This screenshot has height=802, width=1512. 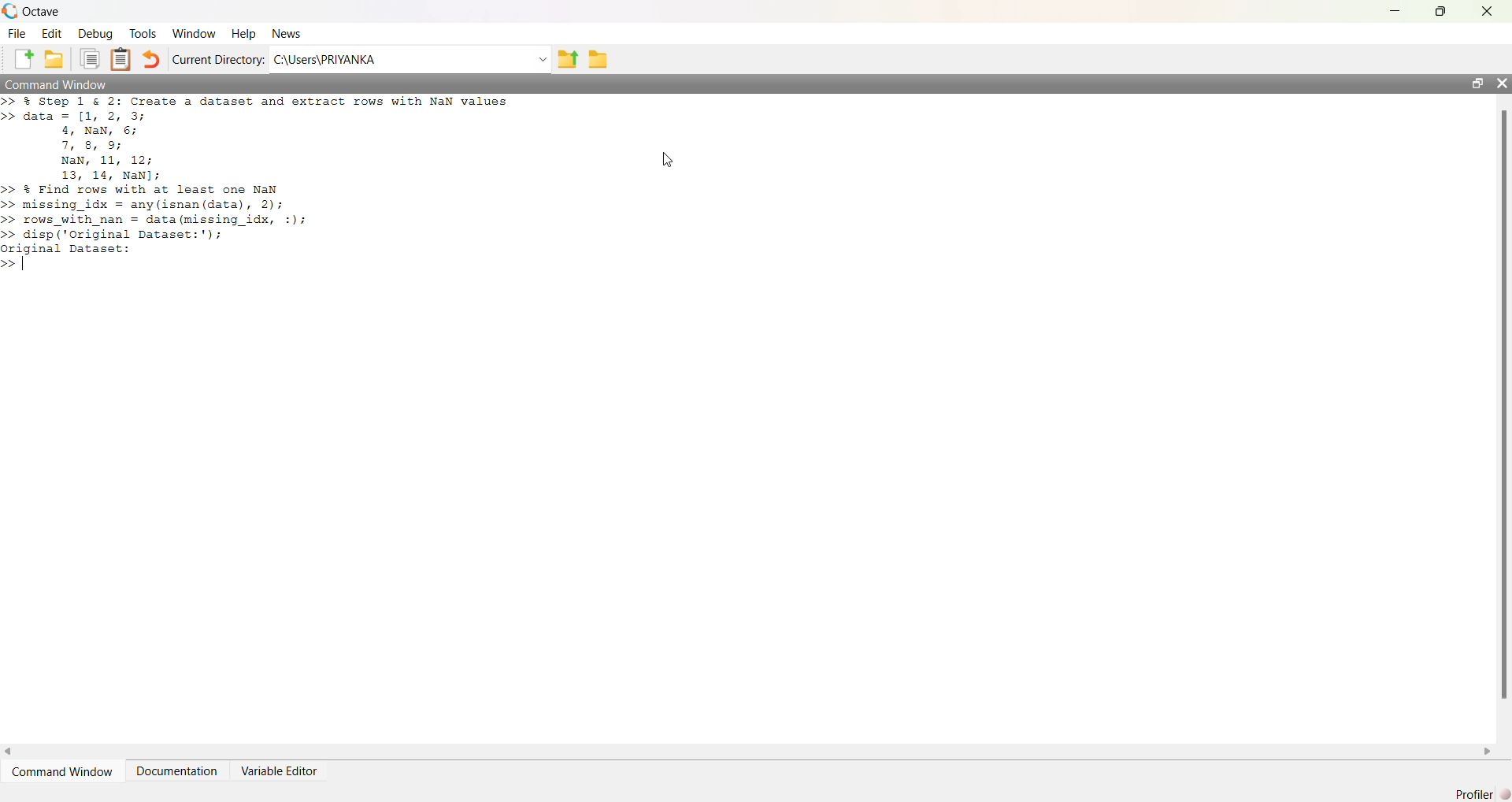 I want to click on Command Window, so click(x=62, y=772).